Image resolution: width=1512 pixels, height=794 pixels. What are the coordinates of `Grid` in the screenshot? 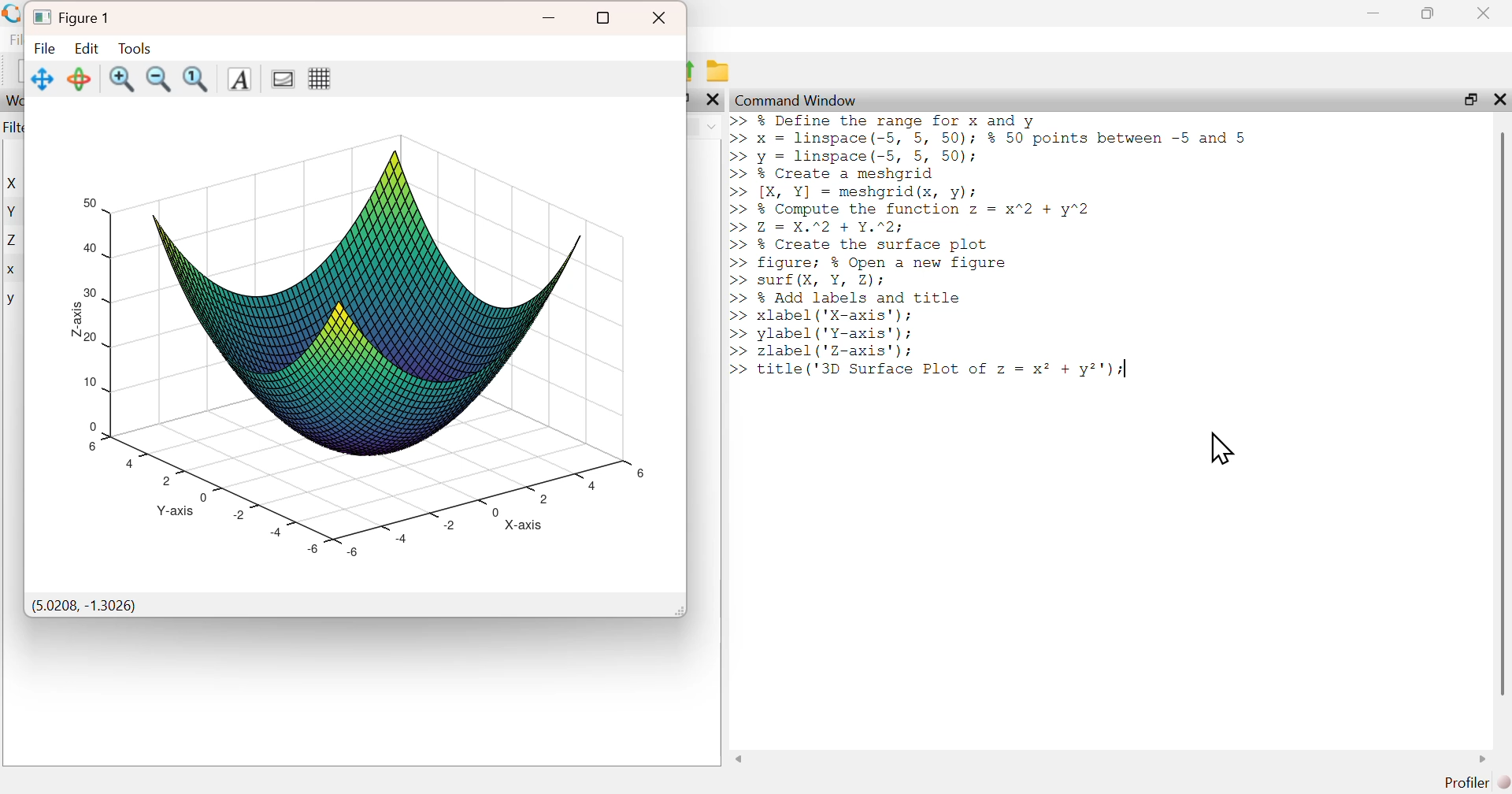 It's located at (319, 78).